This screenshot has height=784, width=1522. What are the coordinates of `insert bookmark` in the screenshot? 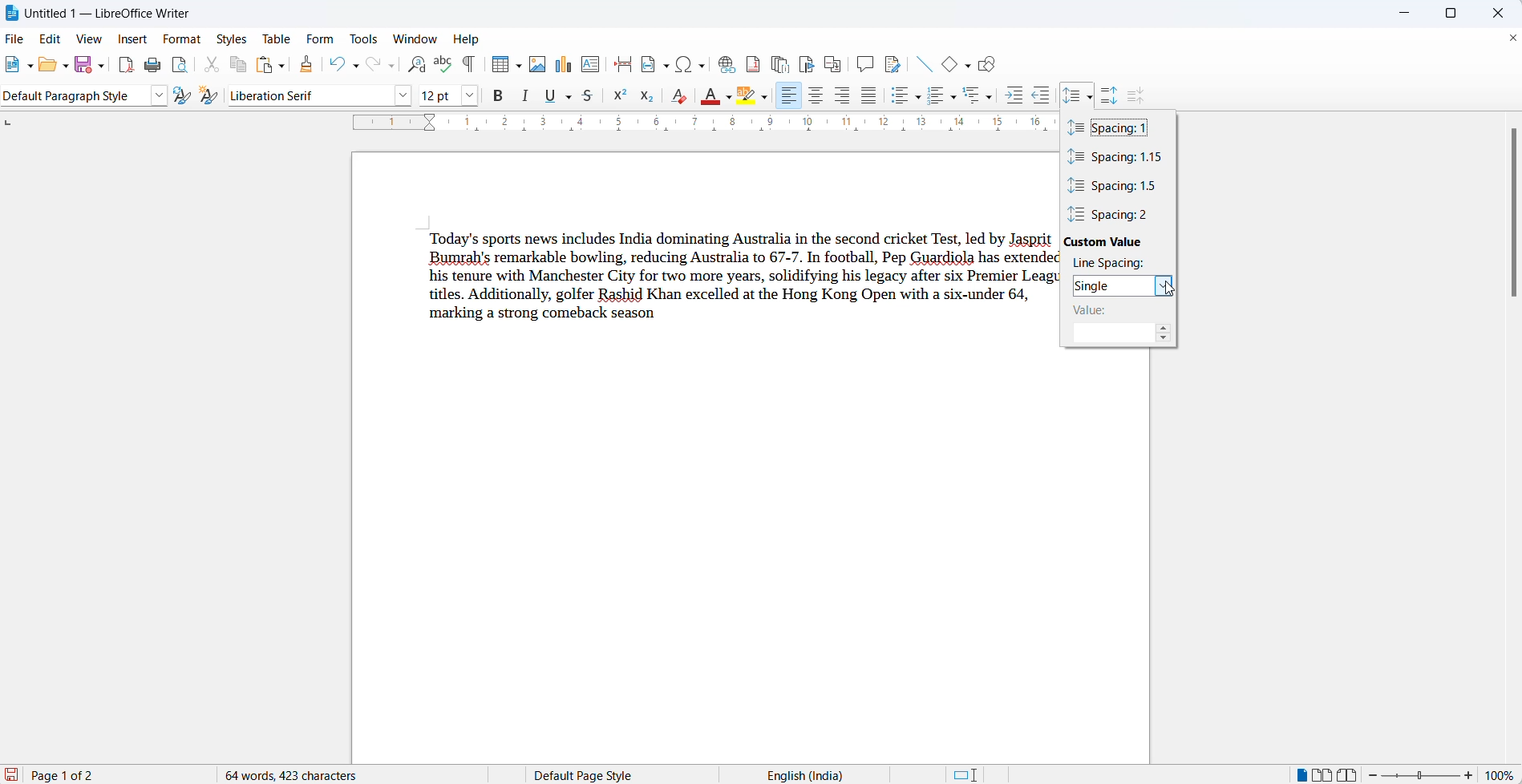 It's located at (805, 62).